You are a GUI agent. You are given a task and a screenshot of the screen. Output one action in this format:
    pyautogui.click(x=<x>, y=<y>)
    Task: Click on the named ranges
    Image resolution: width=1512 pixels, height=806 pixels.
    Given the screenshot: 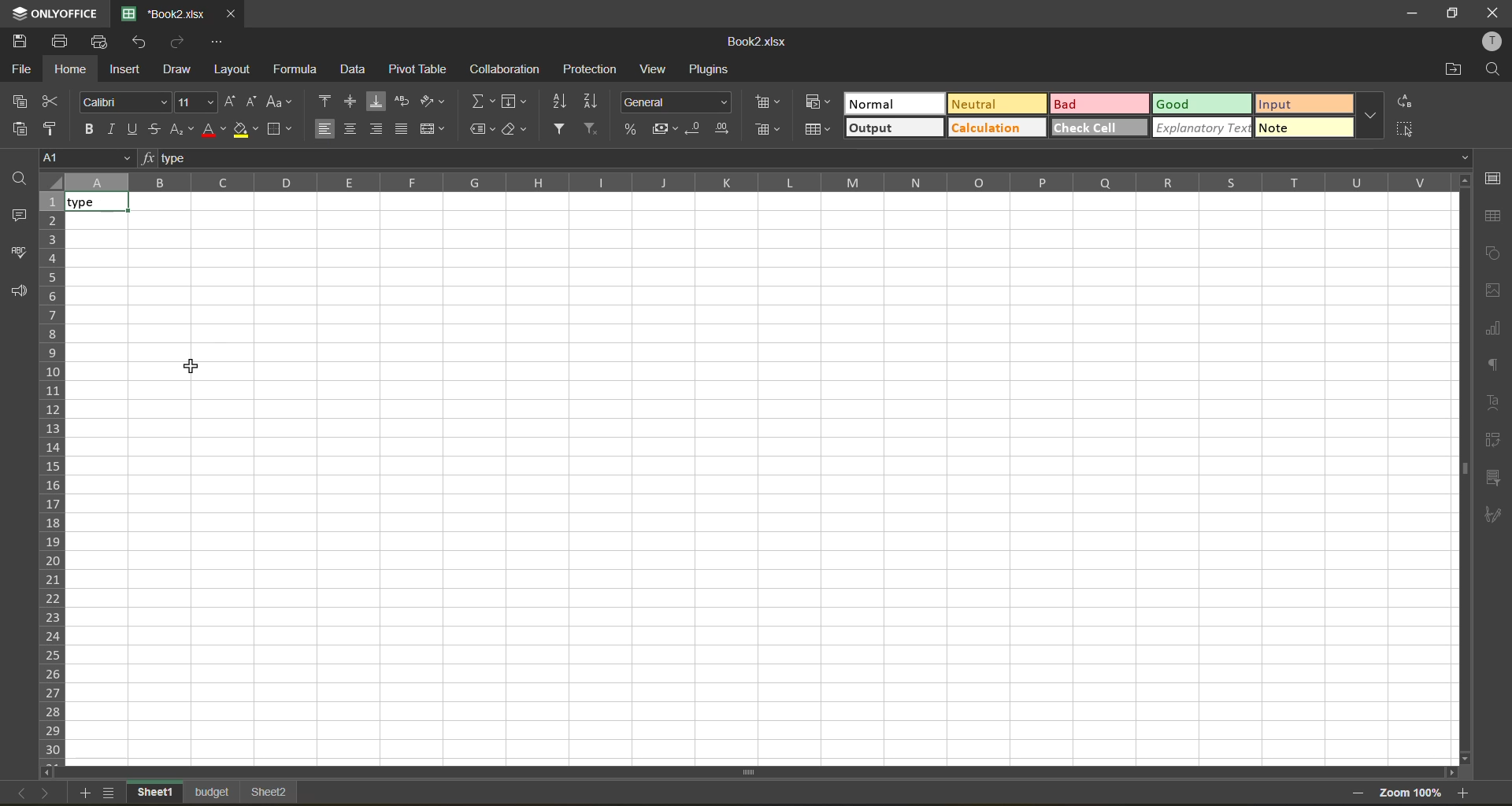 What is the action you would take?
    pyautogui.click(x=480, y=129)
    